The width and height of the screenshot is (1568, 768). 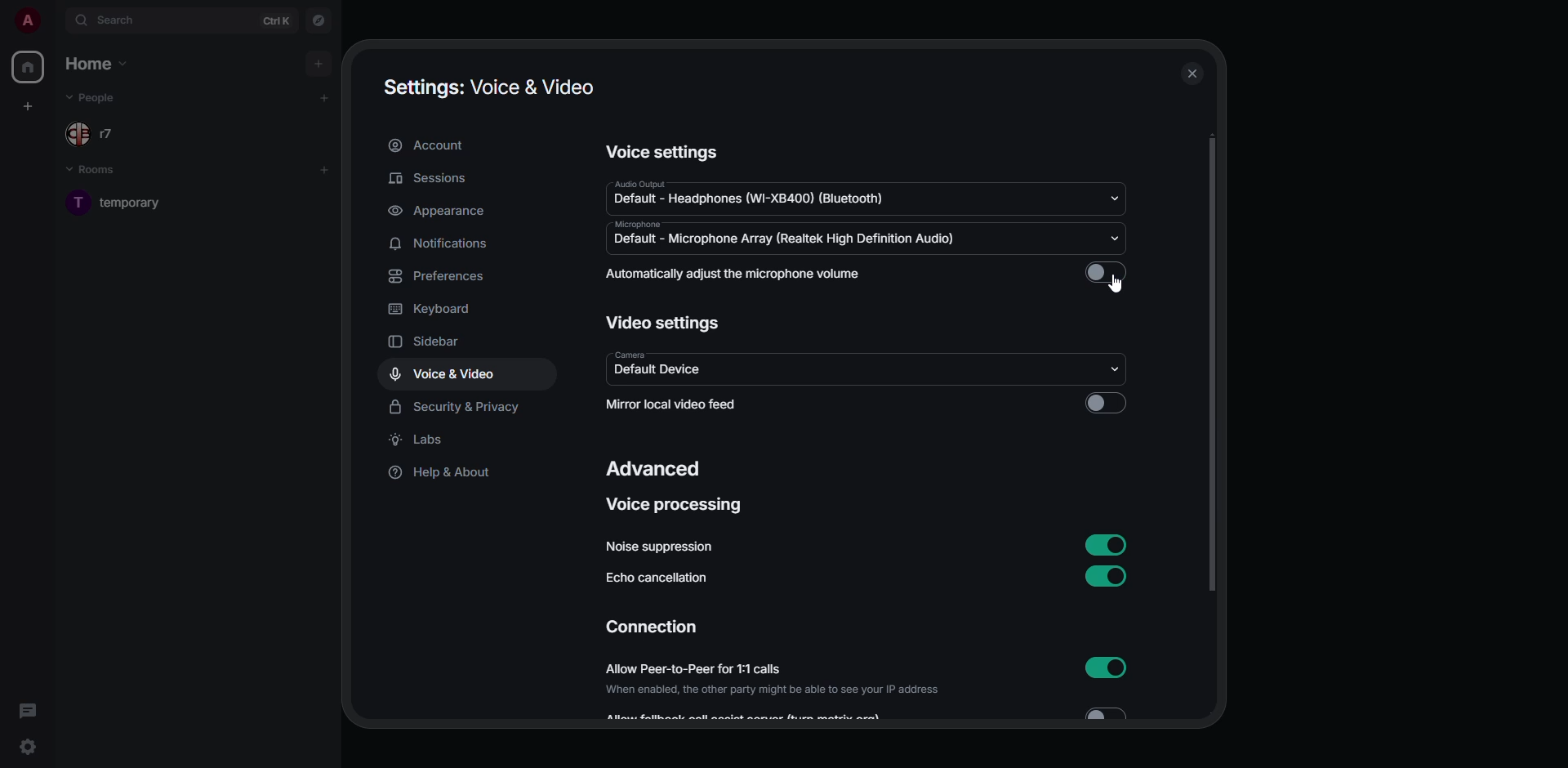 I want to click on drop down, so click(x=1117, y=368).